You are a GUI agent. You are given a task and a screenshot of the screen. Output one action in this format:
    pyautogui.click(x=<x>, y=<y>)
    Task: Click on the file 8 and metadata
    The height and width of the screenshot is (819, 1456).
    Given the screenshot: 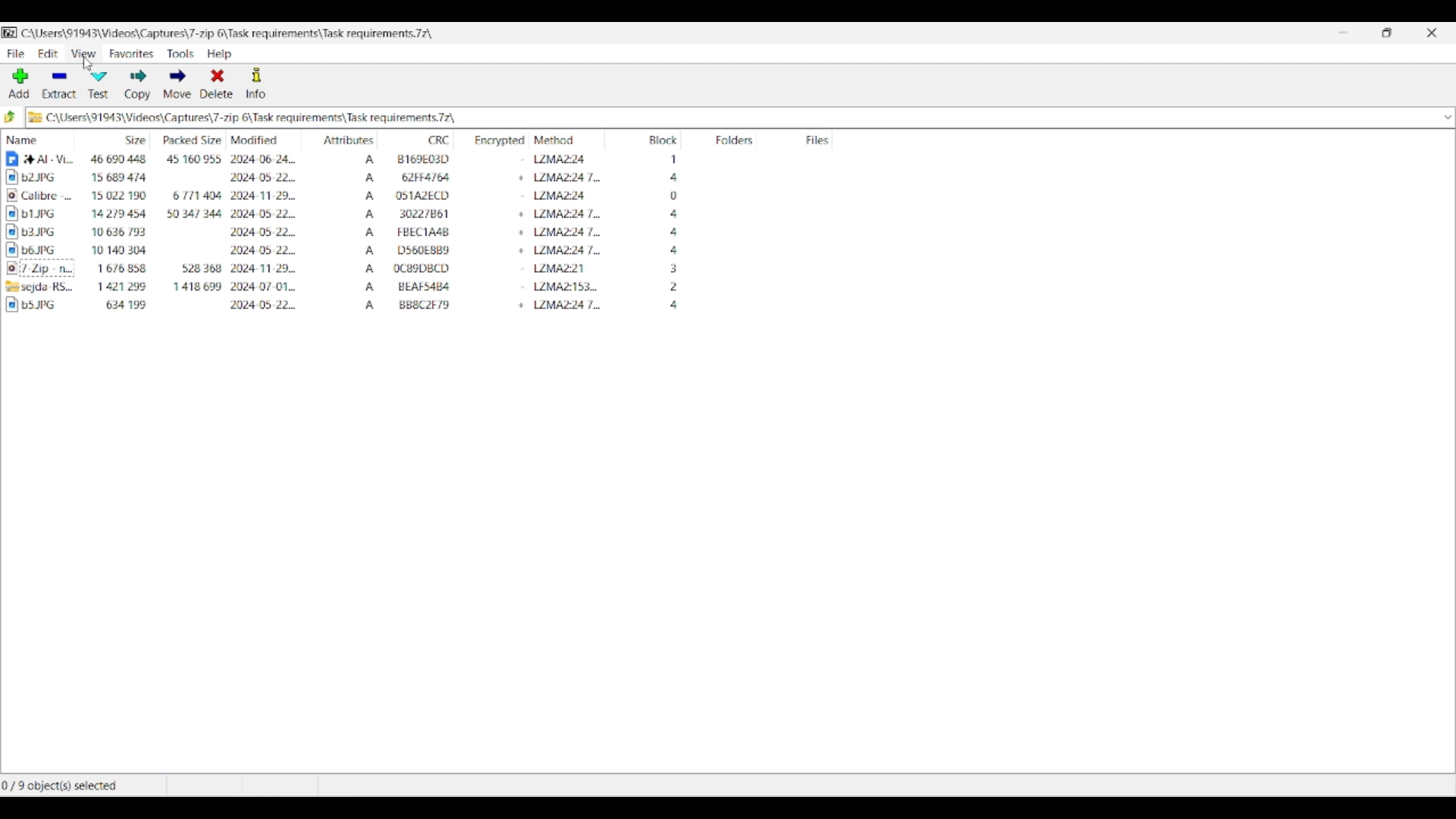 What is the action you would take?
    pyautogui.click(x=417, y=287)
    